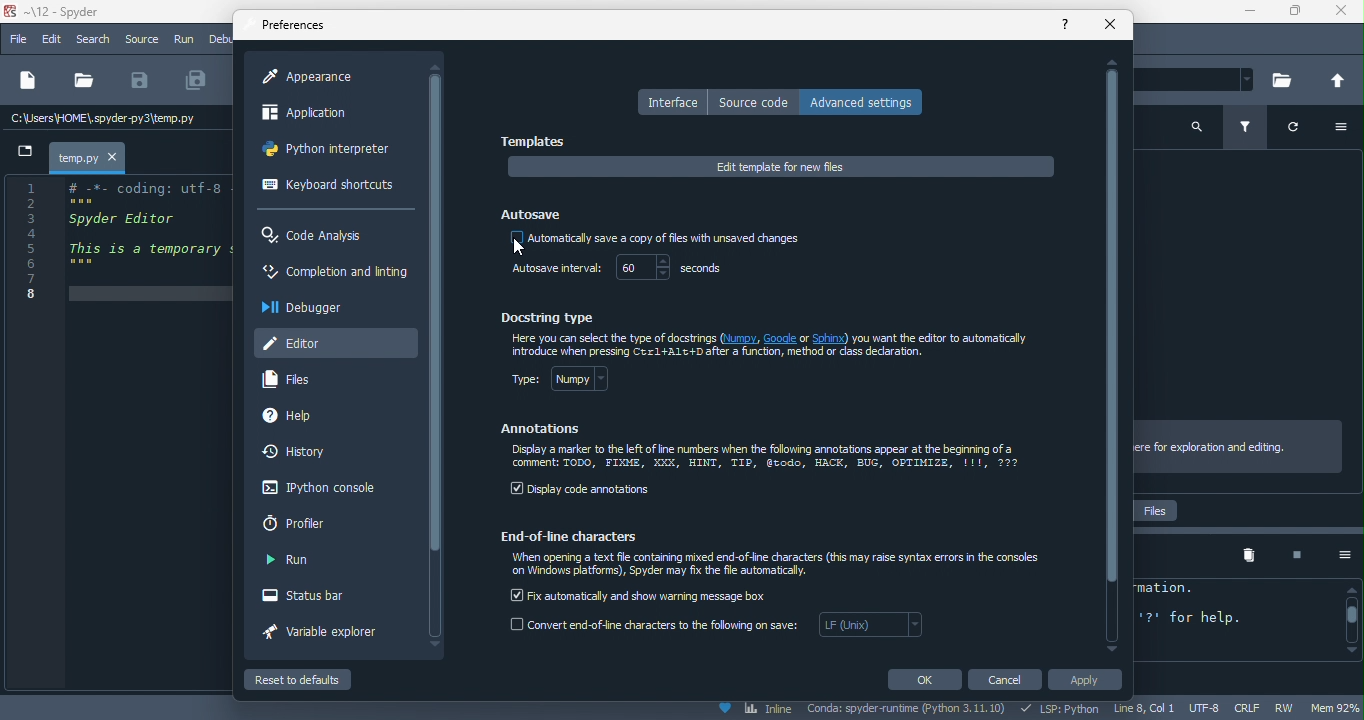  I want to click on ok, so click(923, 679).